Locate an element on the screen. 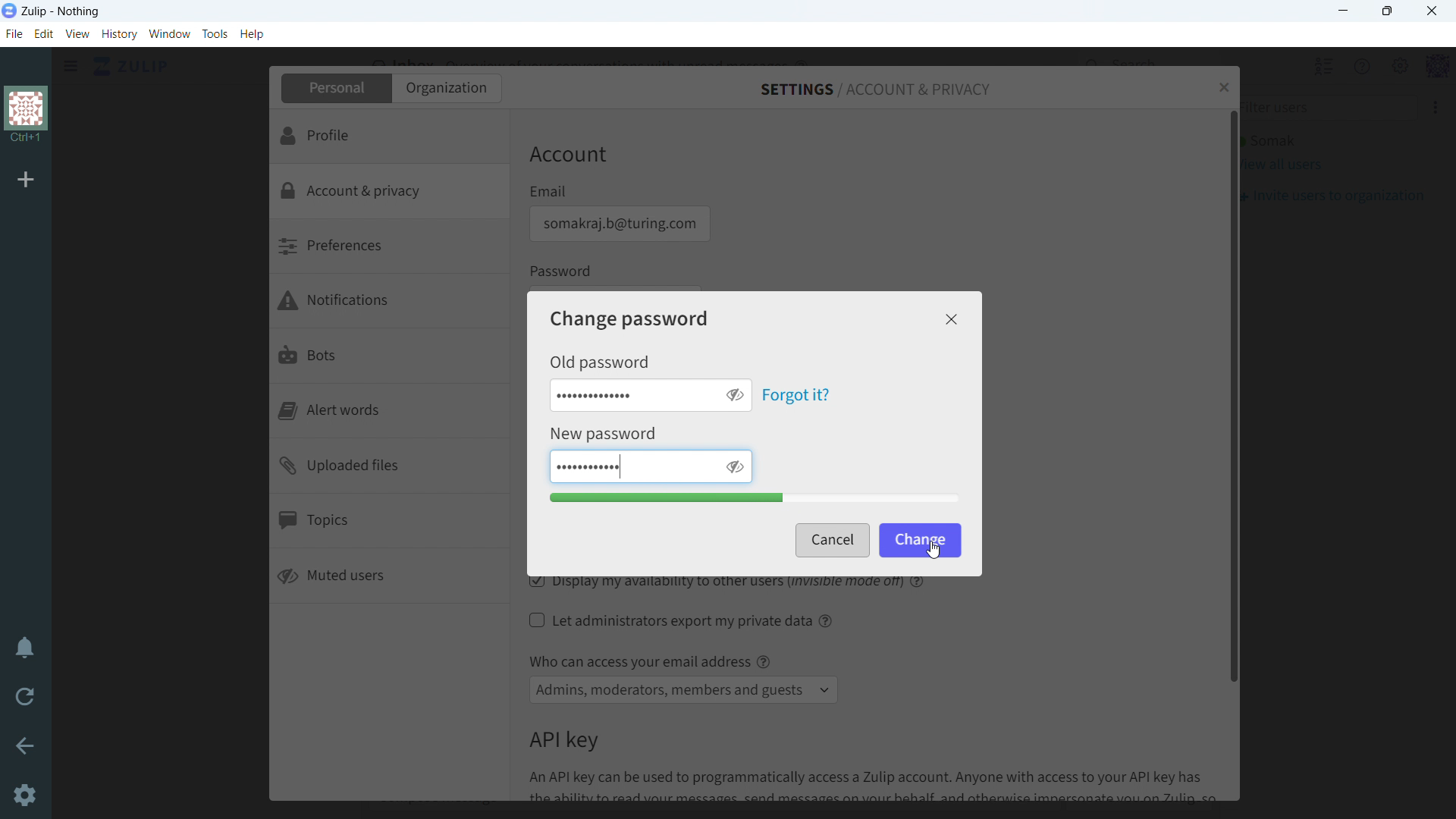 This screenshot has height=819, width=1456. Account is located at coordinates (569, 156).